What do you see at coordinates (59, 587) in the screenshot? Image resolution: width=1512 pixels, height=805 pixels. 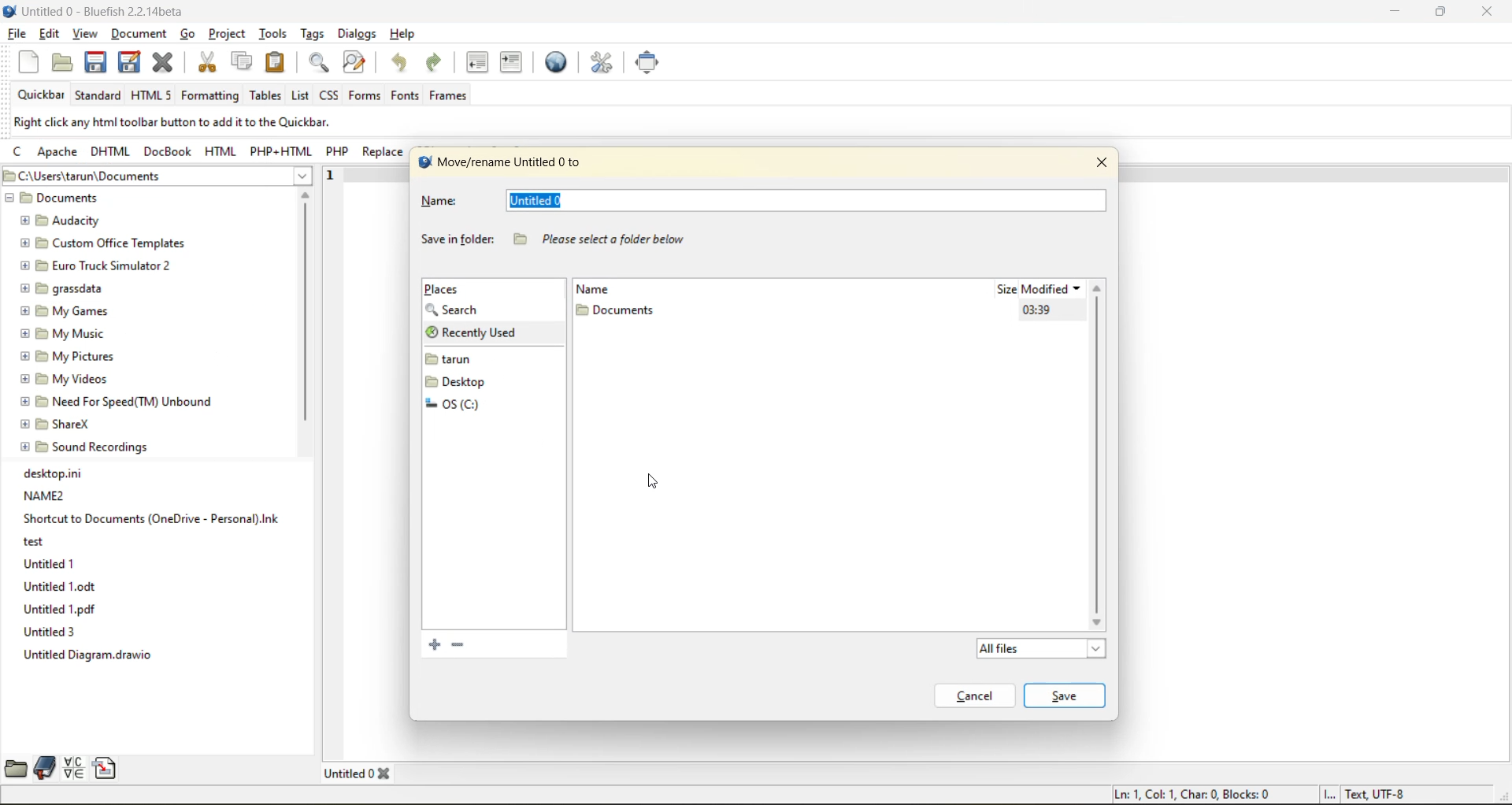 I see `Untitled1.odt` at bounding box center [59, 587].